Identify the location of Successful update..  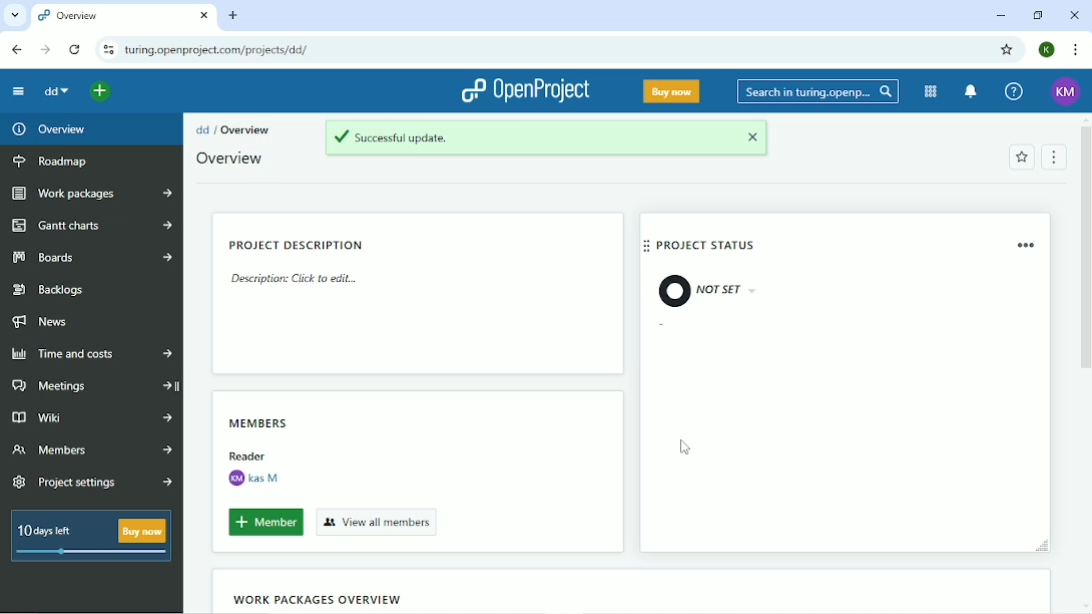
(545, 138).